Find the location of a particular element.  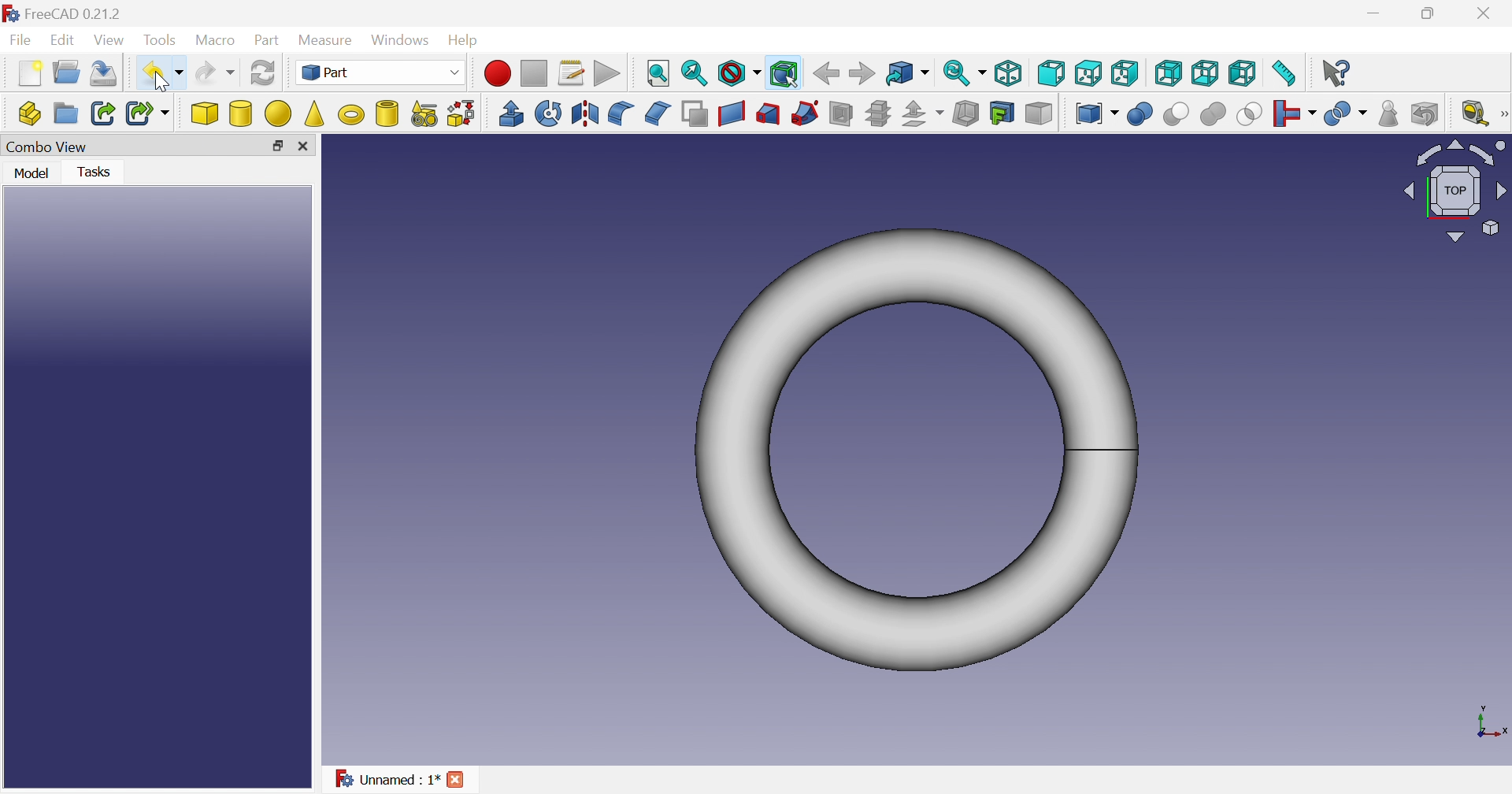

Create projection on surface is located at coordinates (1002, 113).